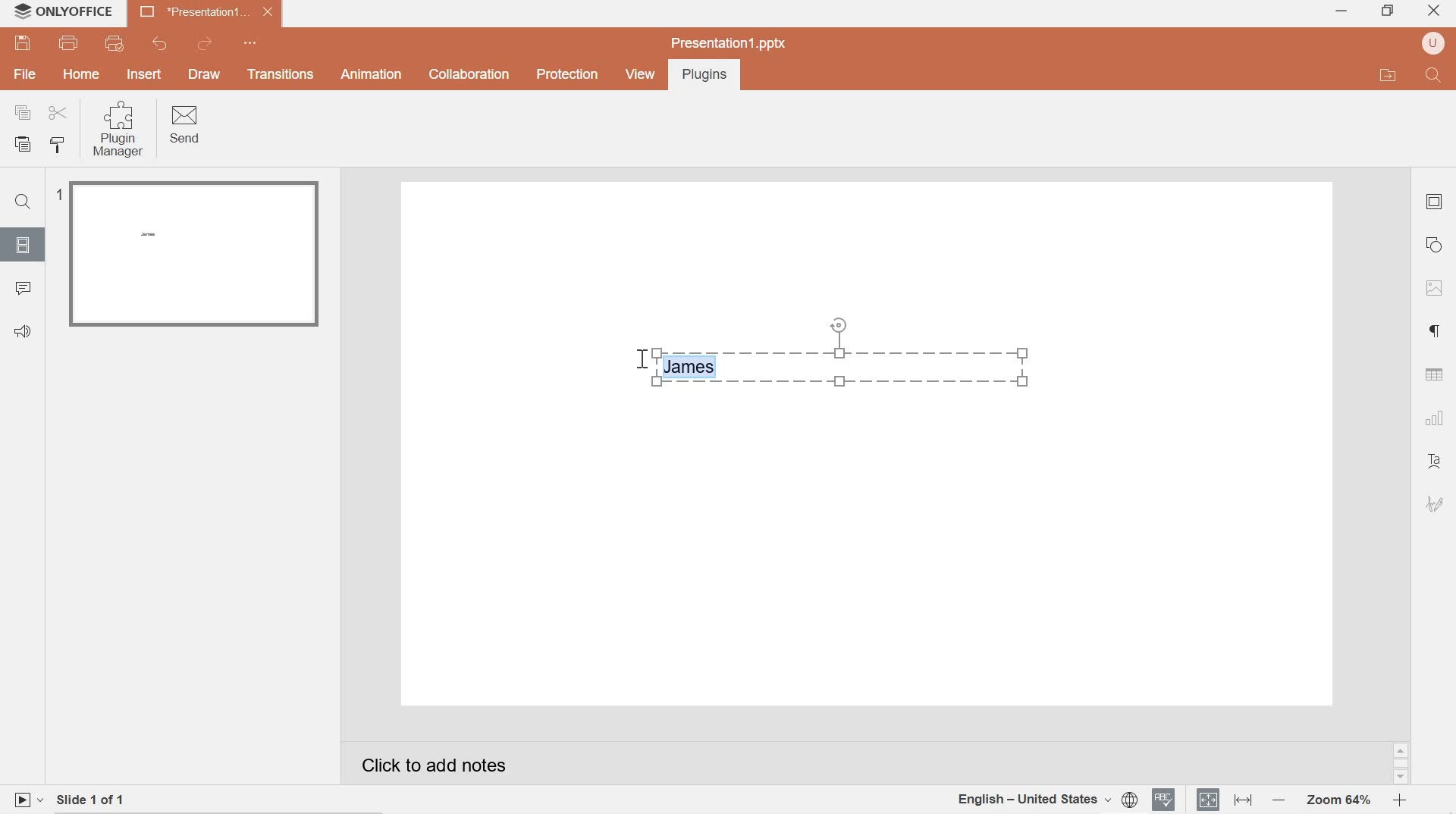 This screenshot has width=1456, height=814. Describe the element at coordinates (467, 75) in the screenshot. I see `collaboration` at that location.